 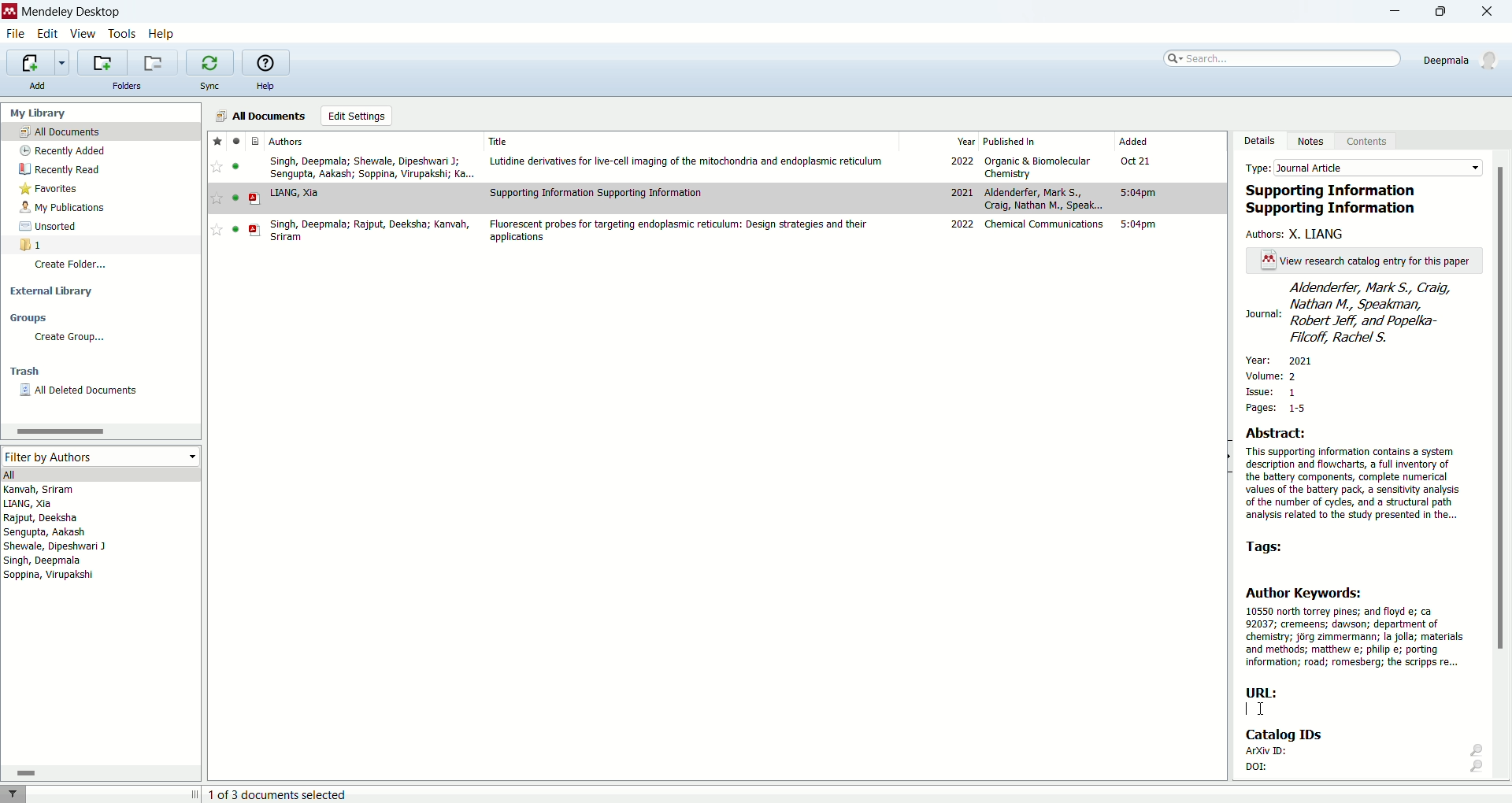 I want to click on document type, so click(x=254, y=140).